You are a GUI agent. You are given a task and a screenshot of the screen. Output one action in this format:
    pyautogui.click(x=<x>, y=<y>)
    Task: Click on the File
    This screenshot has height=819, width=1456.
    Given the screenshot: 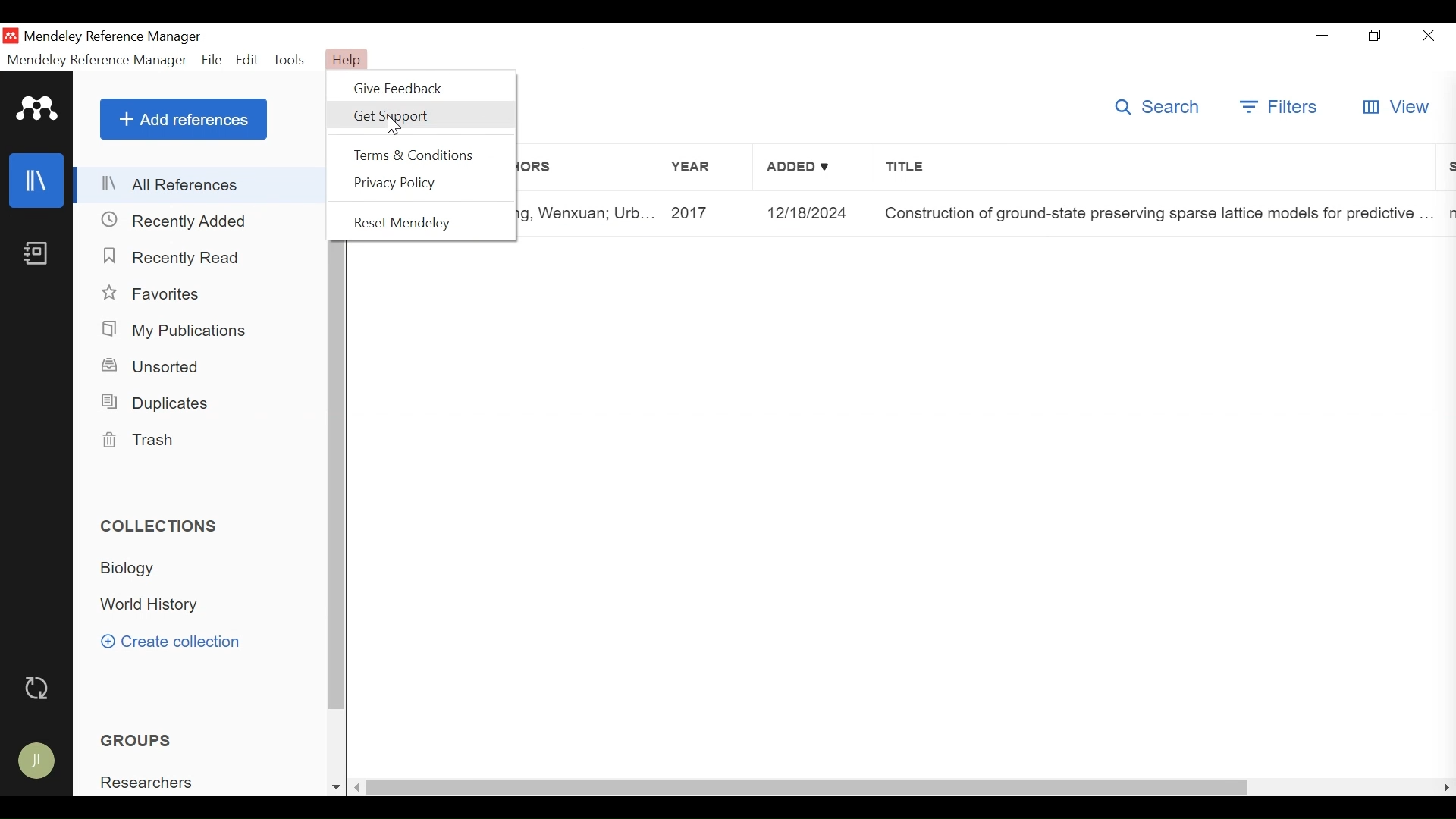 What is the action you would take?
    pyautogui.click(x=212, y=60)
    